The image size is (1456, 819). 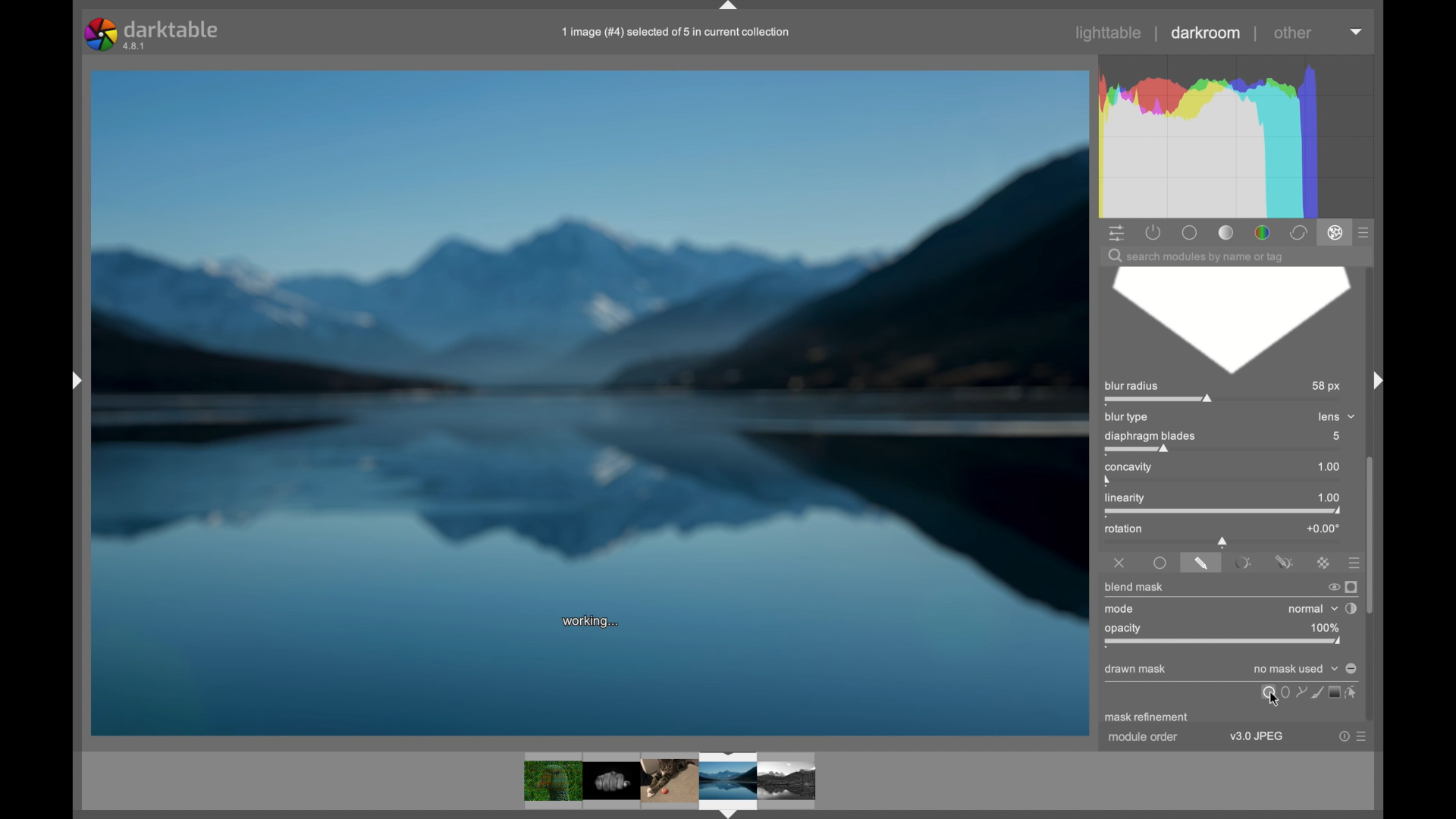 I want to click on display mask, so click(x=1352, y=586).